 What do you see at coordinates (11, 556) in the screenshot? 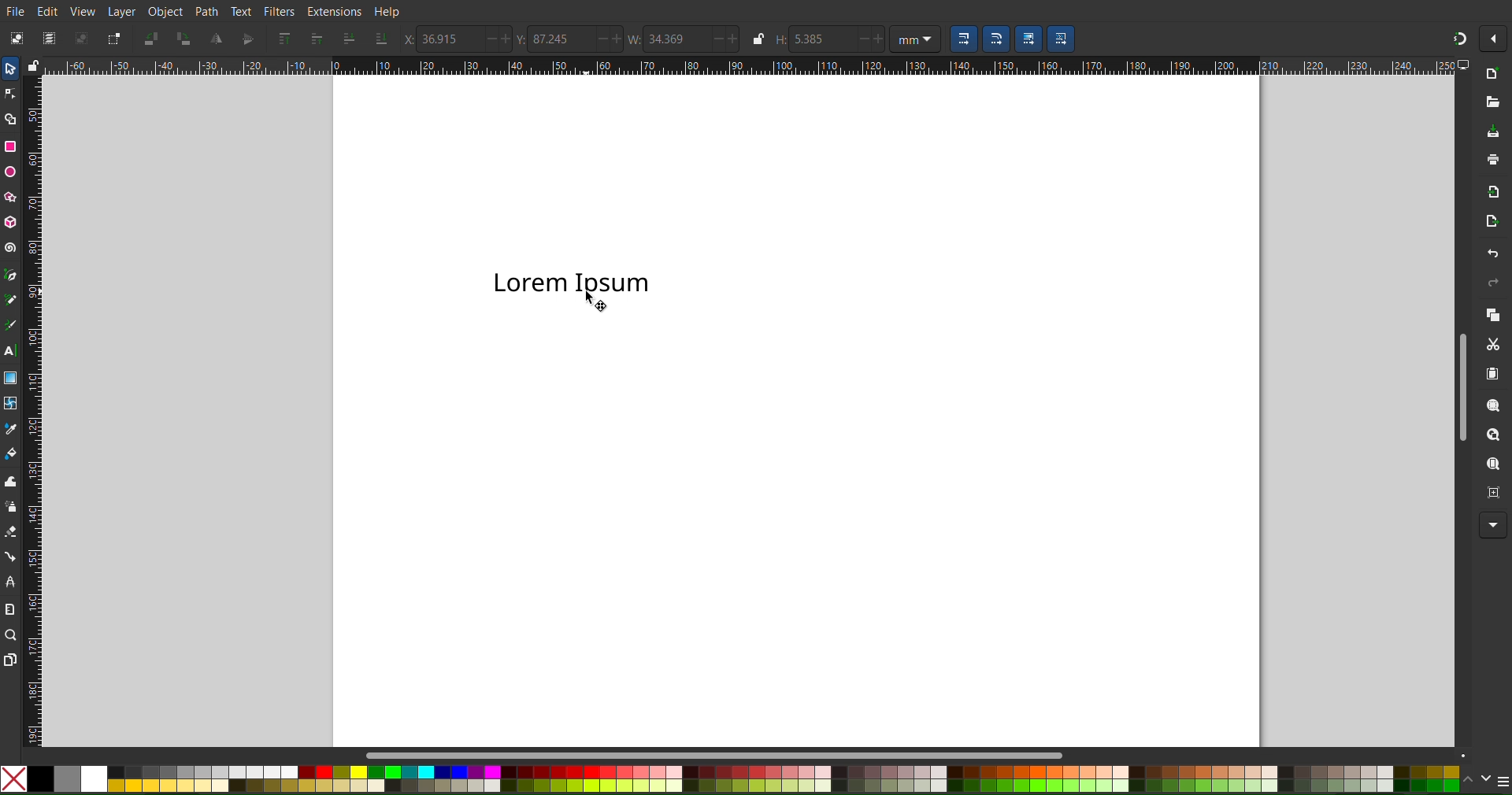
I see `Connection` at bounding box center [11, 556].